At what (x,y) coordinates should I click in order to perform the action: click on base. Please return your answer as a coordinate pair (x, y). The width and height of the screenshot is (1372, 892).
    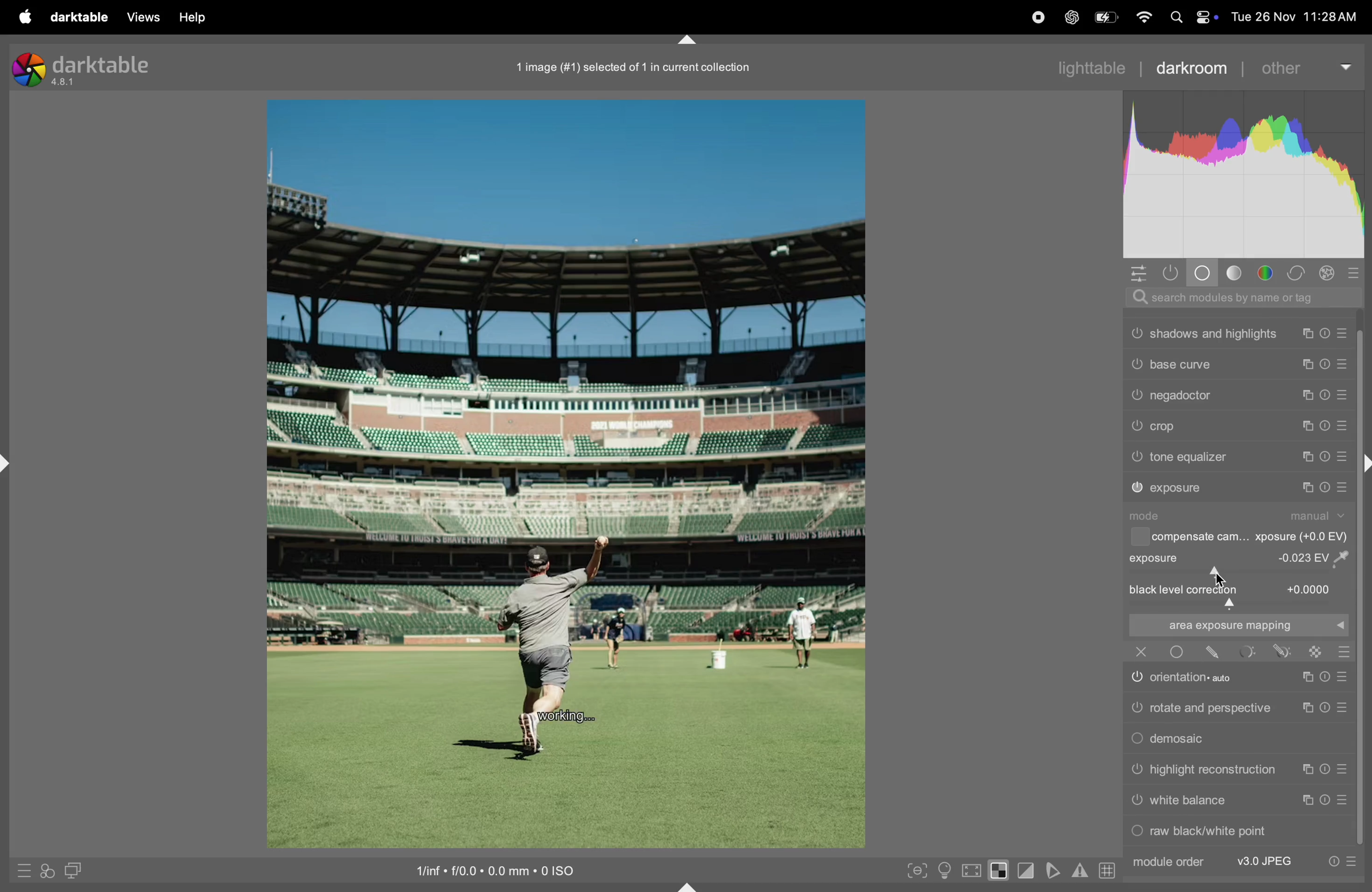
    Looking at the image, I should click on (1204, 273).